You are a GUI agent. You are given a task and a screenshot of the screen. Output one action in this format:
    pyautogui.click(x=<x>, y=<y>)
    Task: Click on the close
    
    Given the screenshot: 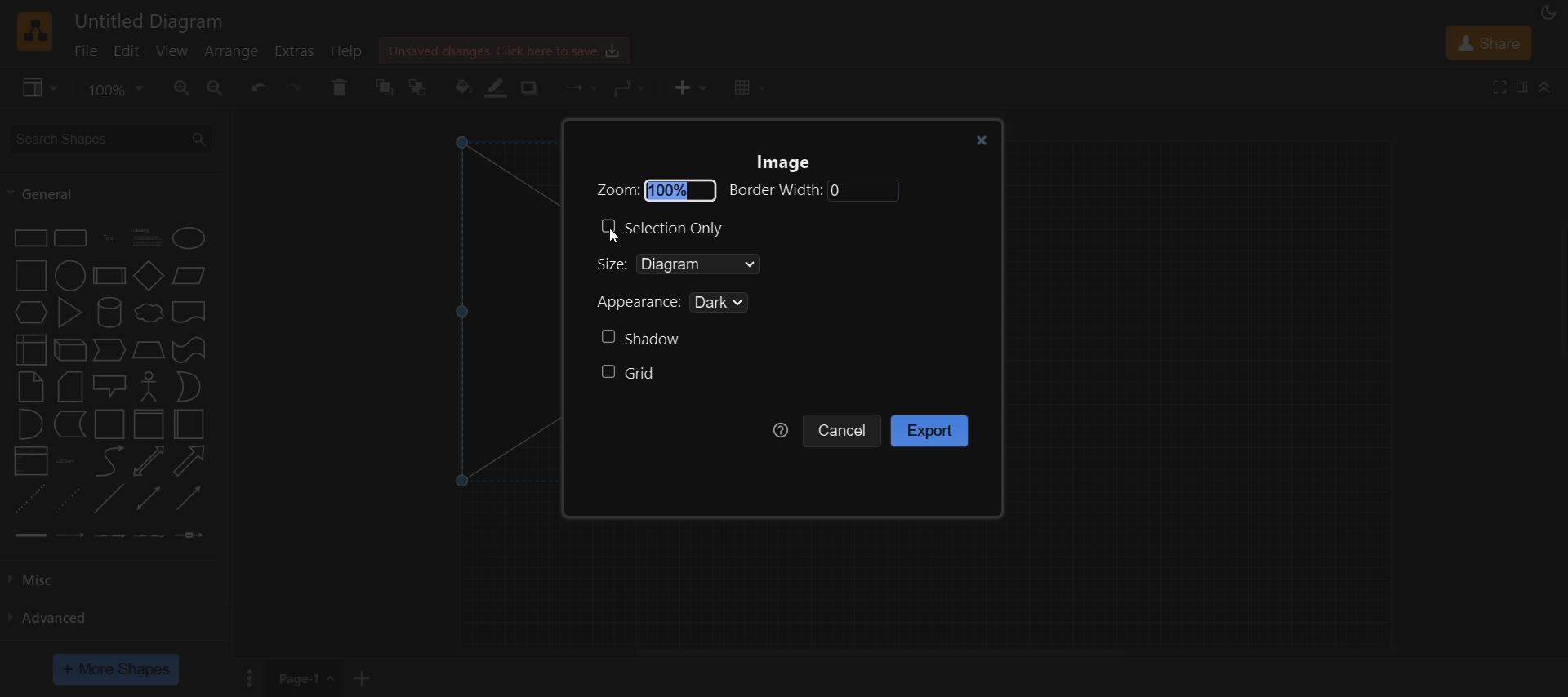 What is the action you would take?
    pyautogui.click(x=978, y=139)
    